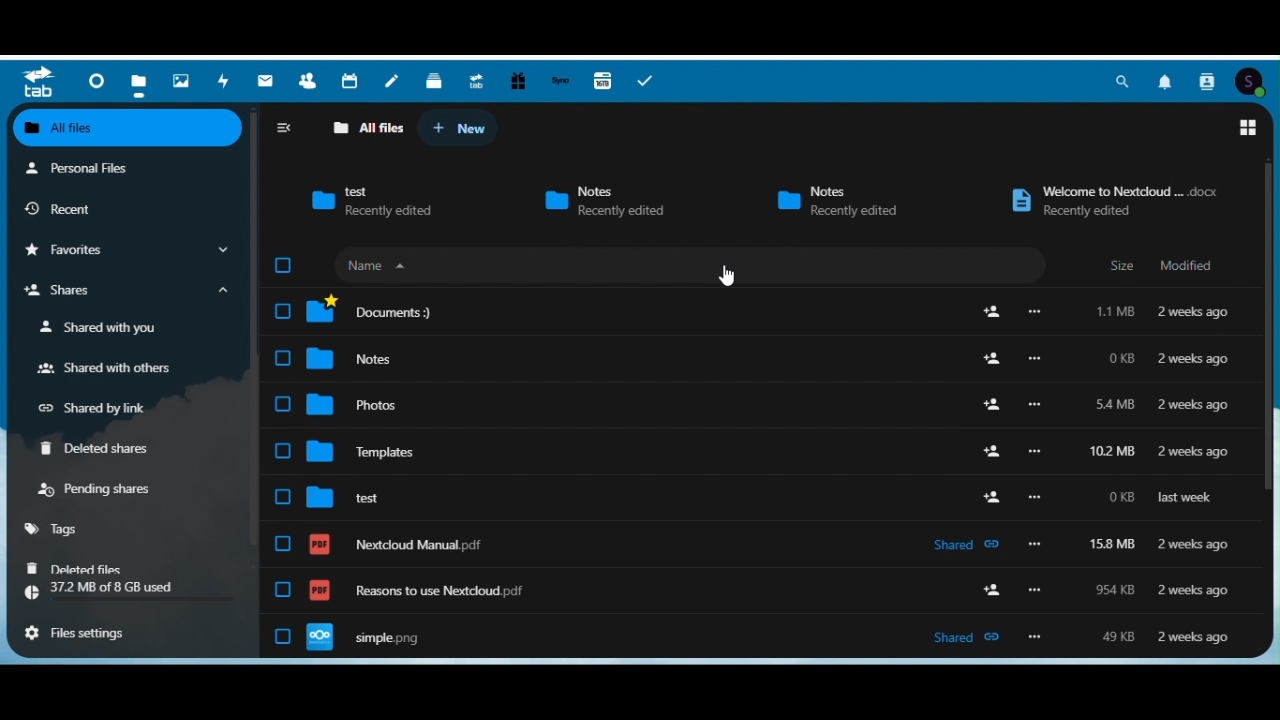 The width and height of the screenshot is (1280, 720). Describe the element at coordinates (1255, 81) in the screenshot. I see `Account icon` at that location.